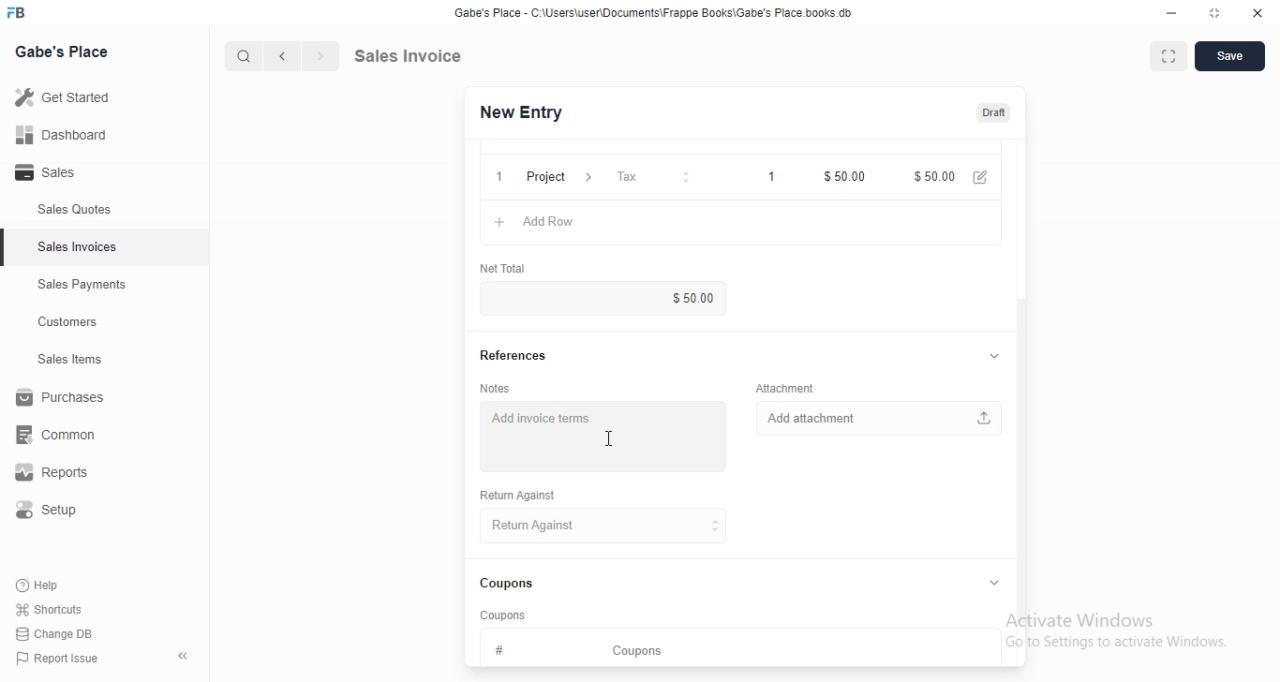  I want to click on Getstared, so click(68, 99).